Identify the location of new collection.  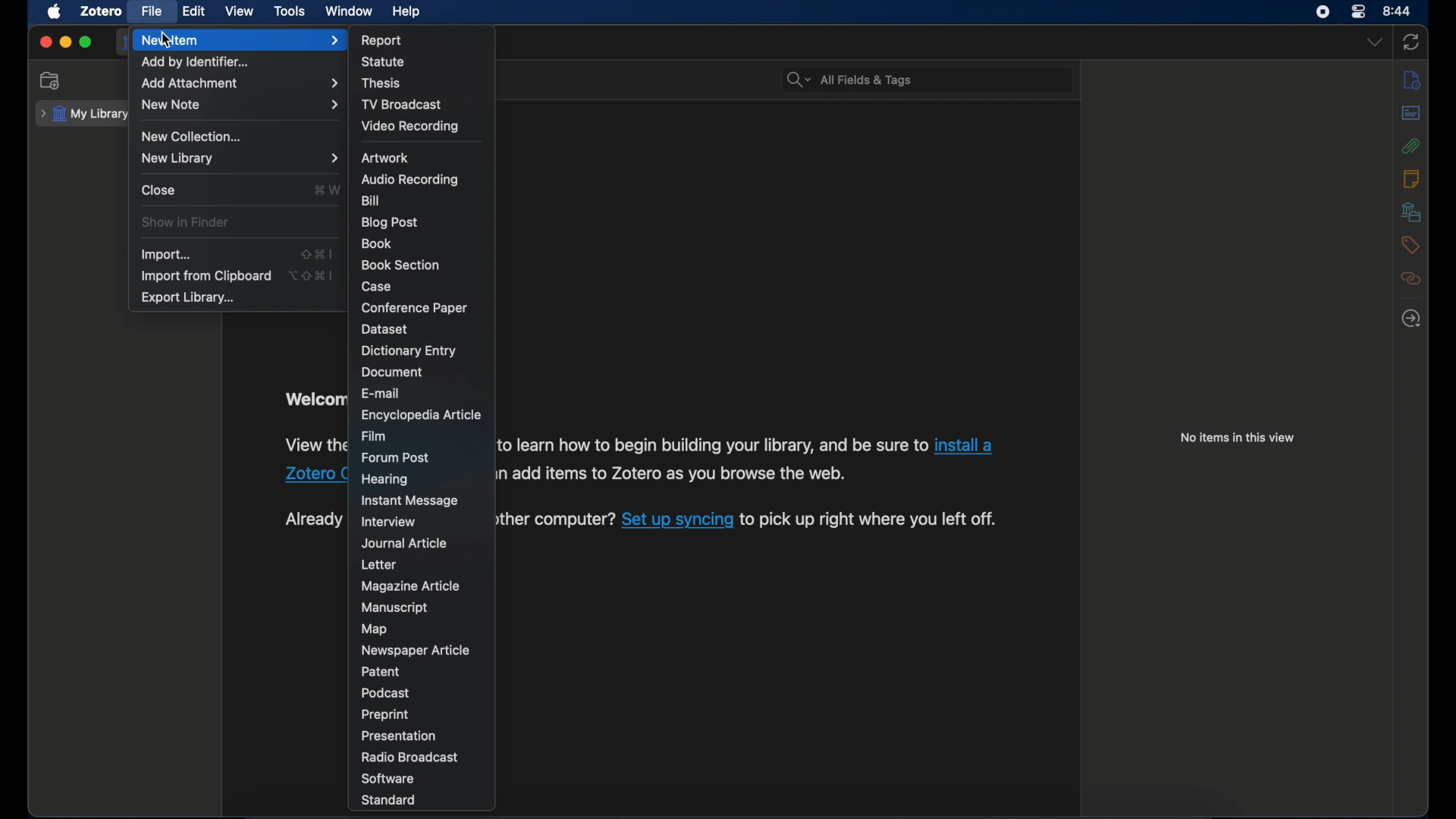
(196, 136).